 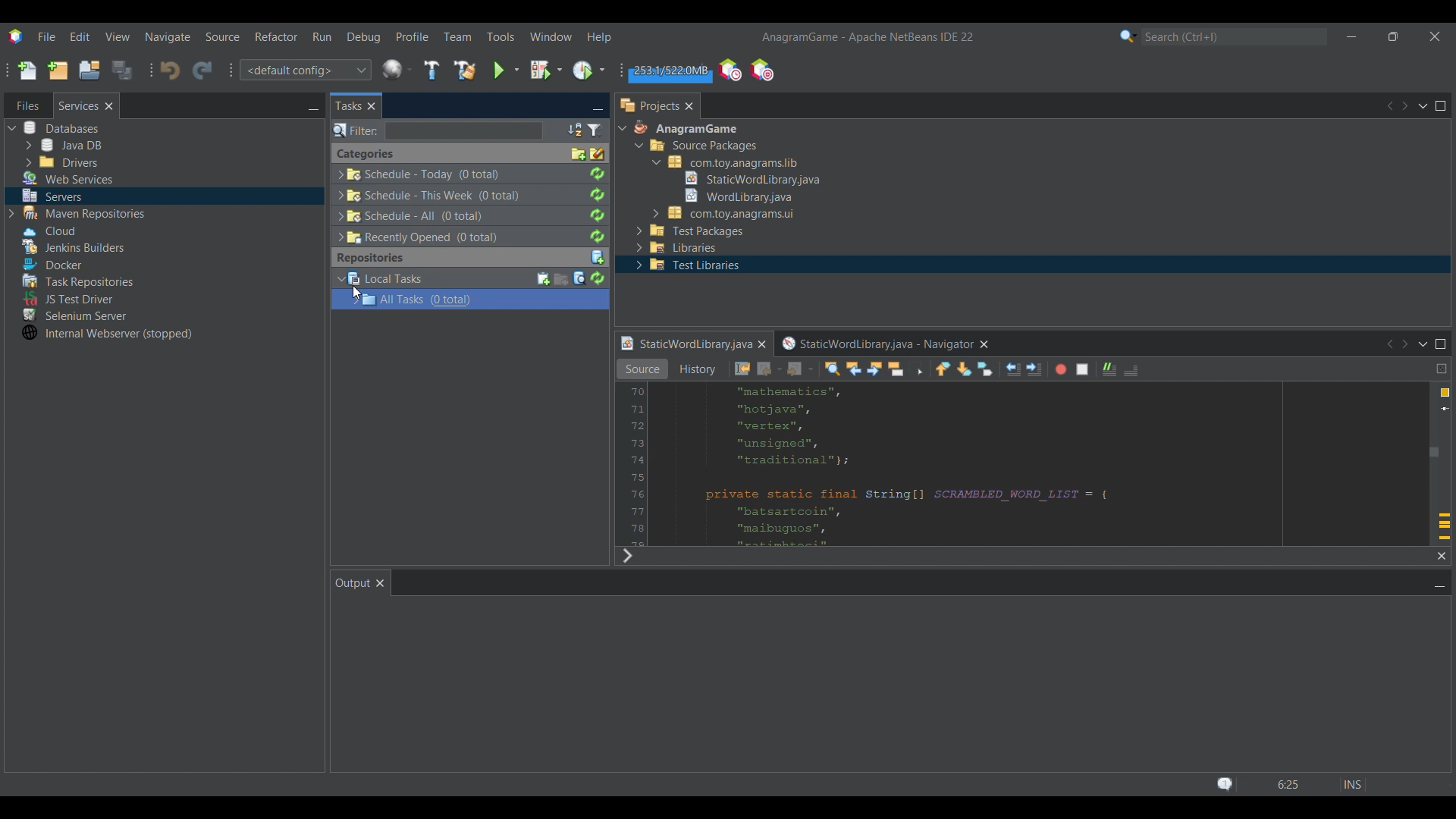 What do you see at coordinates (693, 369) in the screenshot?
I see `` at bounding box center [693, 369].